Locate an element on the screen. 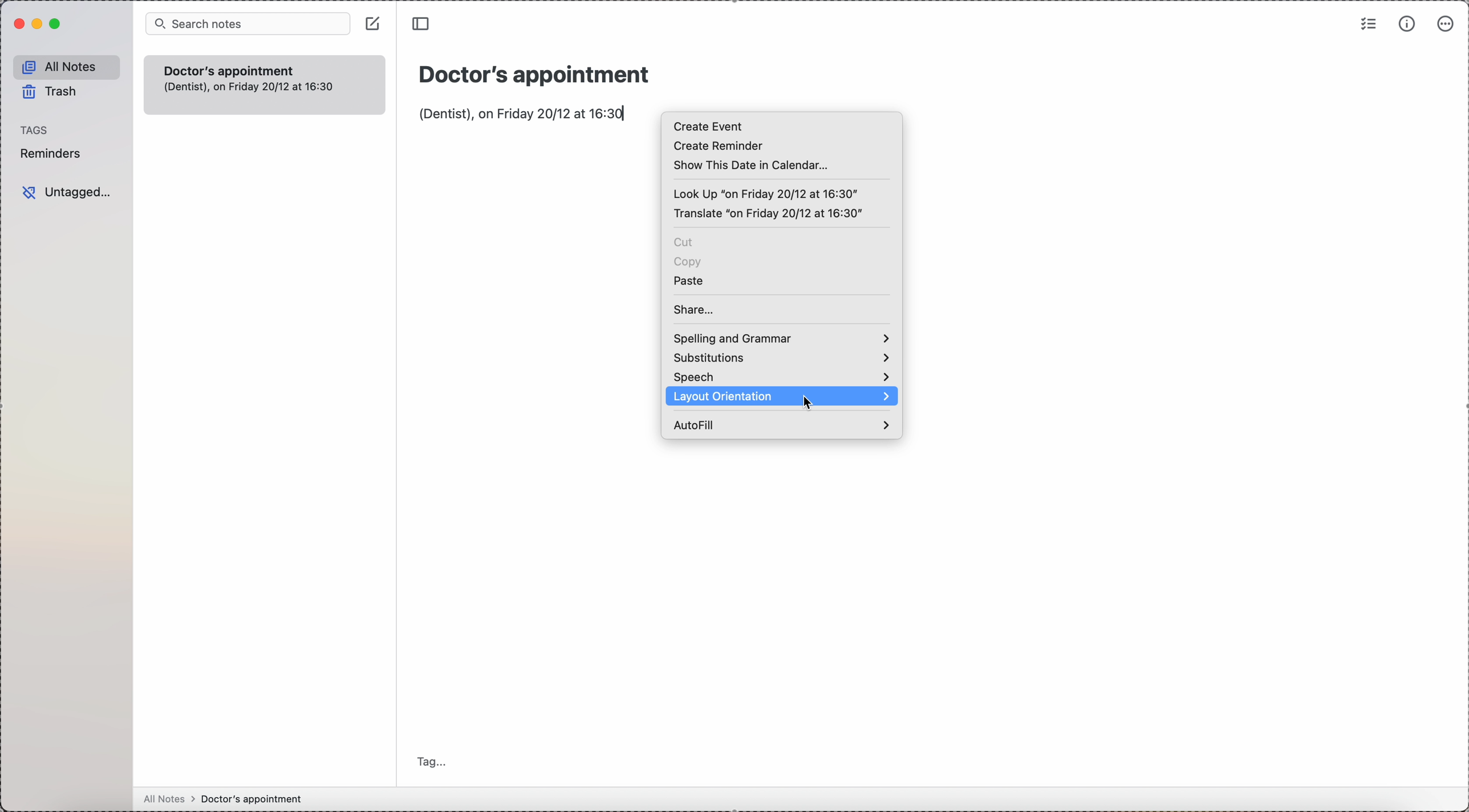  copy is located at coordinates (688, 262).